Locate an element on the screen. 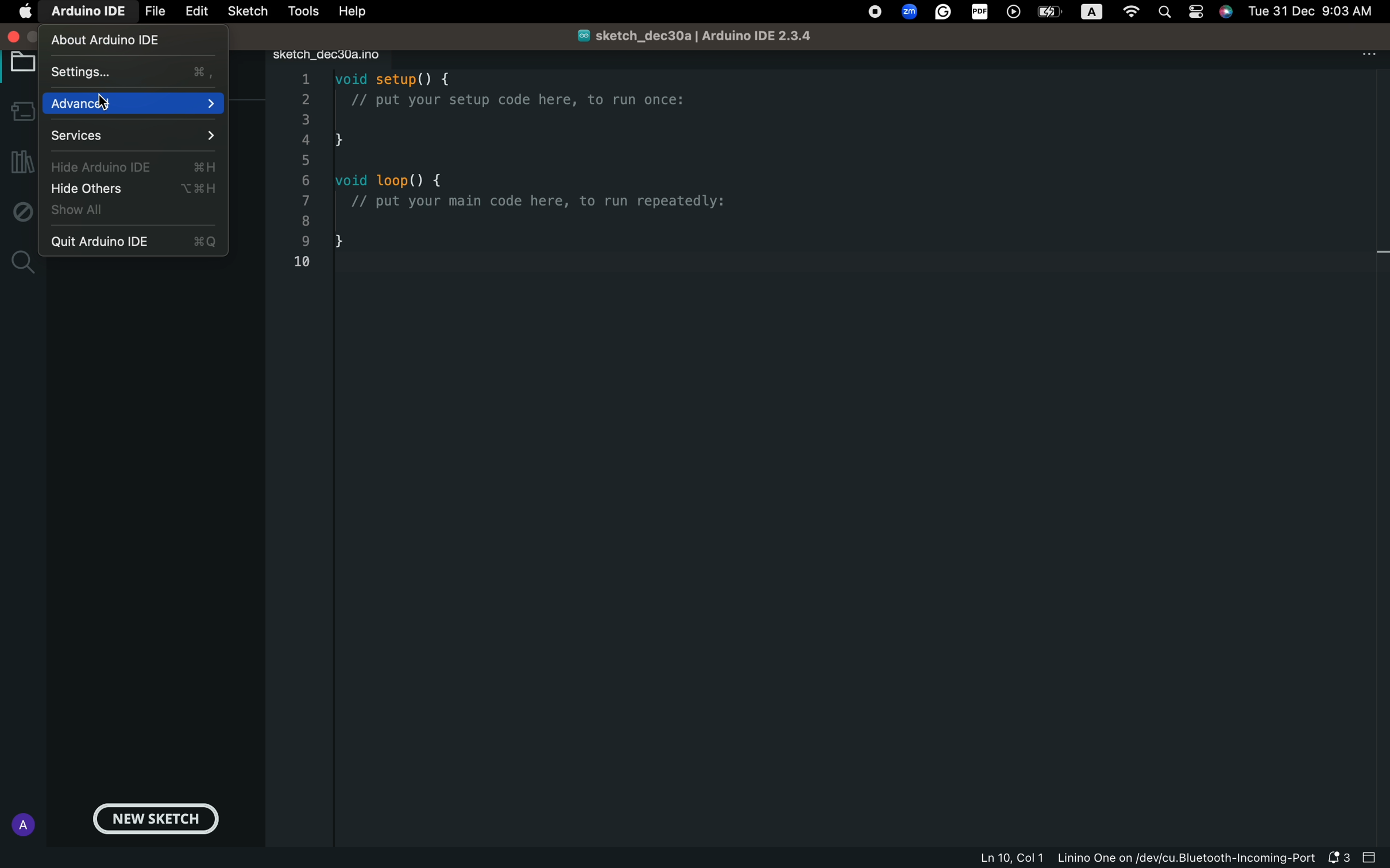  boards manager is located at coordinates (21, 113).